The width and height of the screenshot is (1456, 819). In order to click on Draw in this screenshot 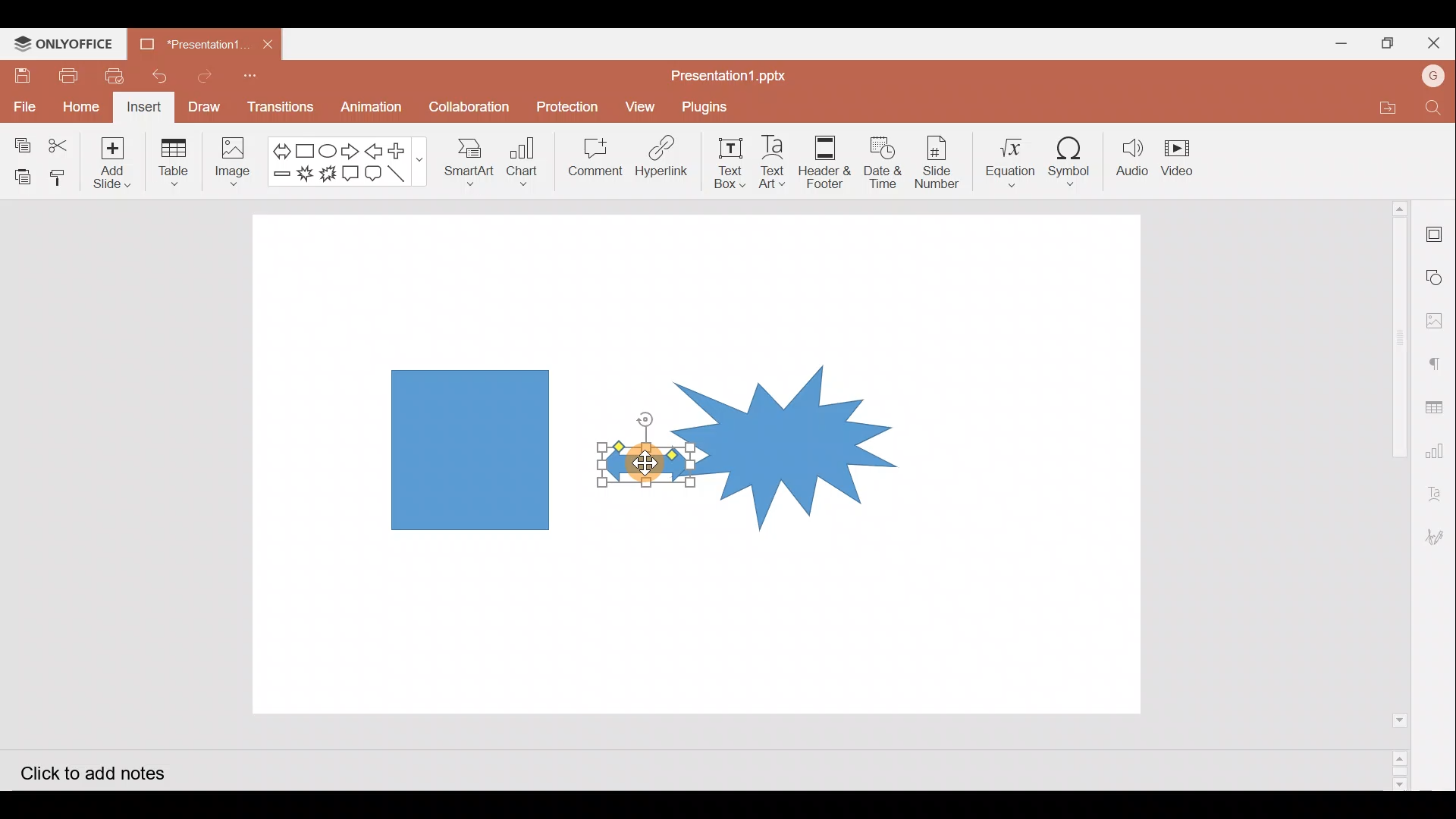, I will do `click(209, 108)`.